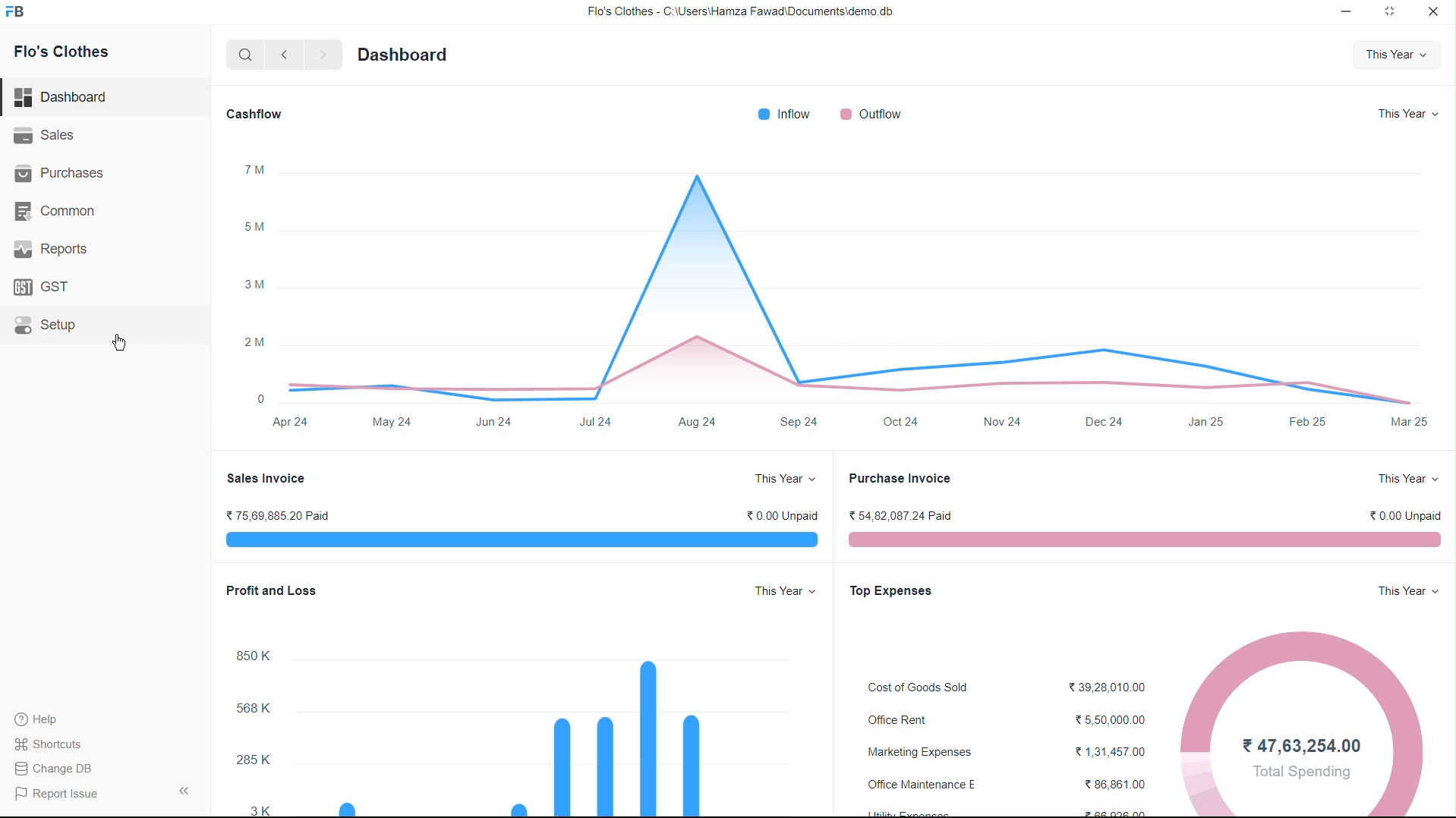  I want to click on Minimize, so click(1343, 12).